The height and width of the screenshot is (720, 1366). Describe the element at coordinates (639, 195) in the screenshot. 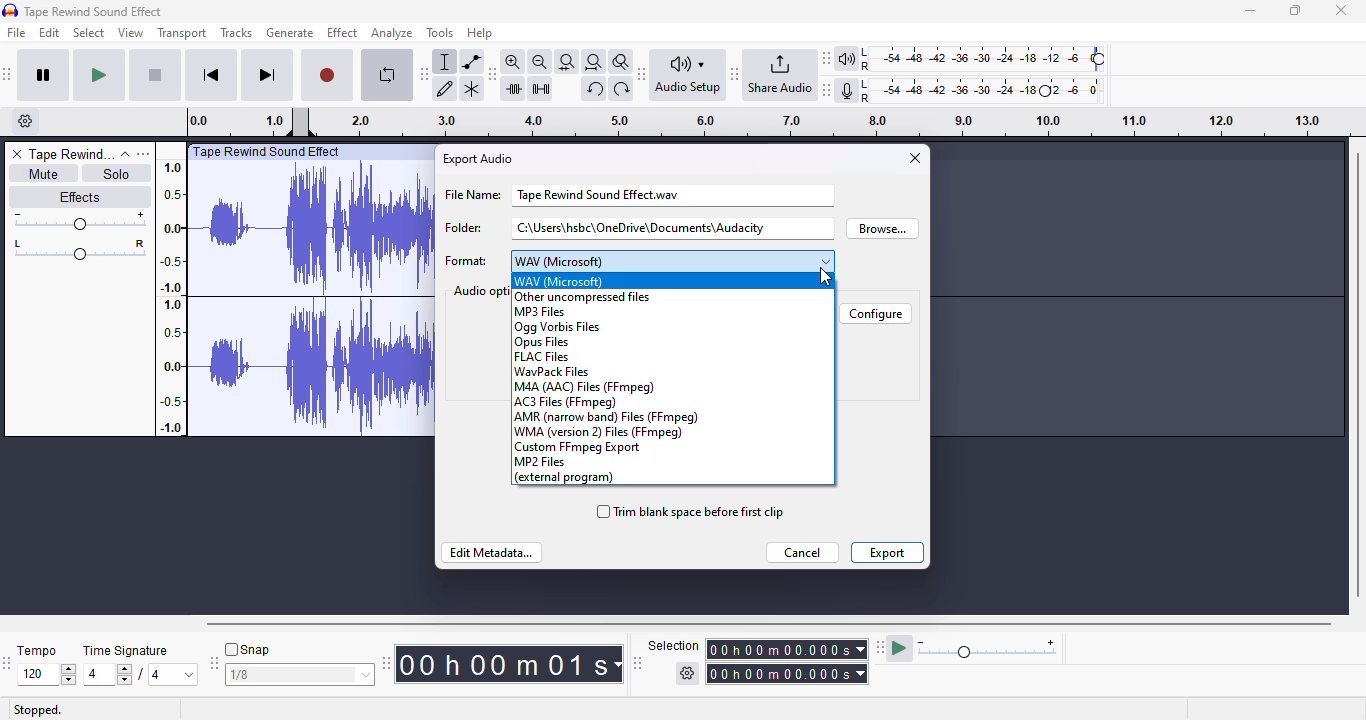

I see `file name` at that location.